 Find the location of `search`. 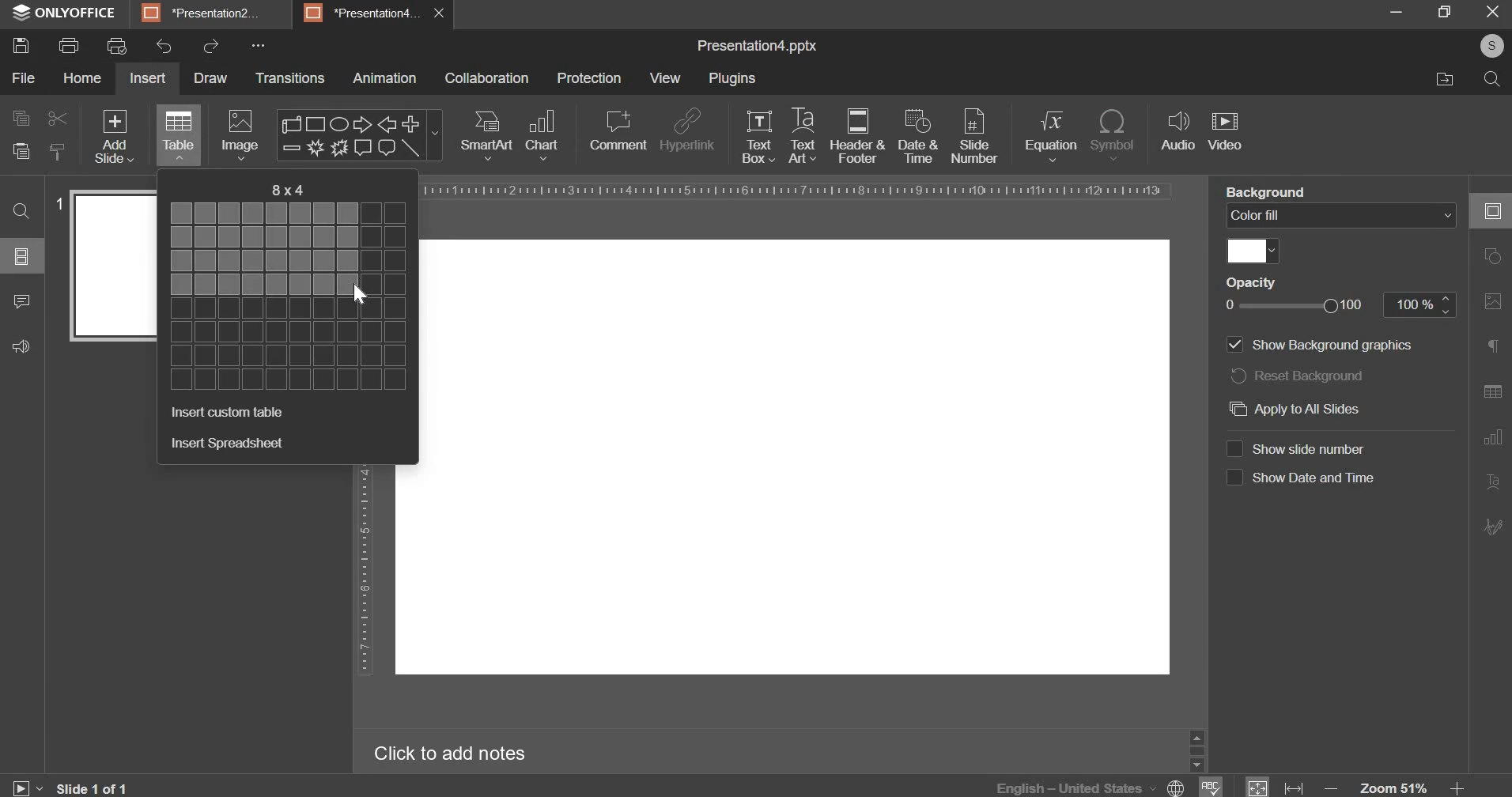

search is located at coordinates (1491, 80).